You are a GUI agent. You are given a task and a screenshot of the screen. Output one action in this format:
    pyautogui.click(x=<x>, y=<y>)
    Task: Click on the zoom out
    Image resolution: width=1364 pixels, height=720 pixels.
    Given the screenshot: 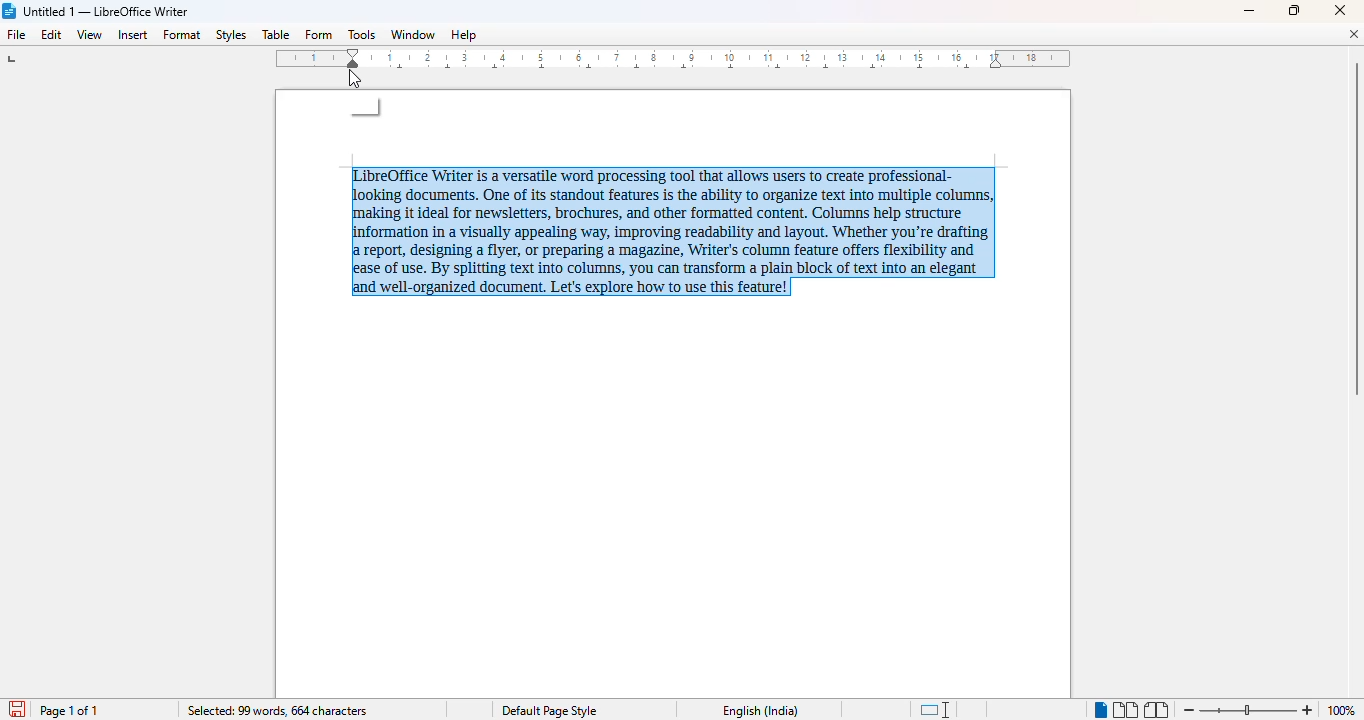 What is the action you would take?
    pyautogui.click(x=1190, y=710)
    